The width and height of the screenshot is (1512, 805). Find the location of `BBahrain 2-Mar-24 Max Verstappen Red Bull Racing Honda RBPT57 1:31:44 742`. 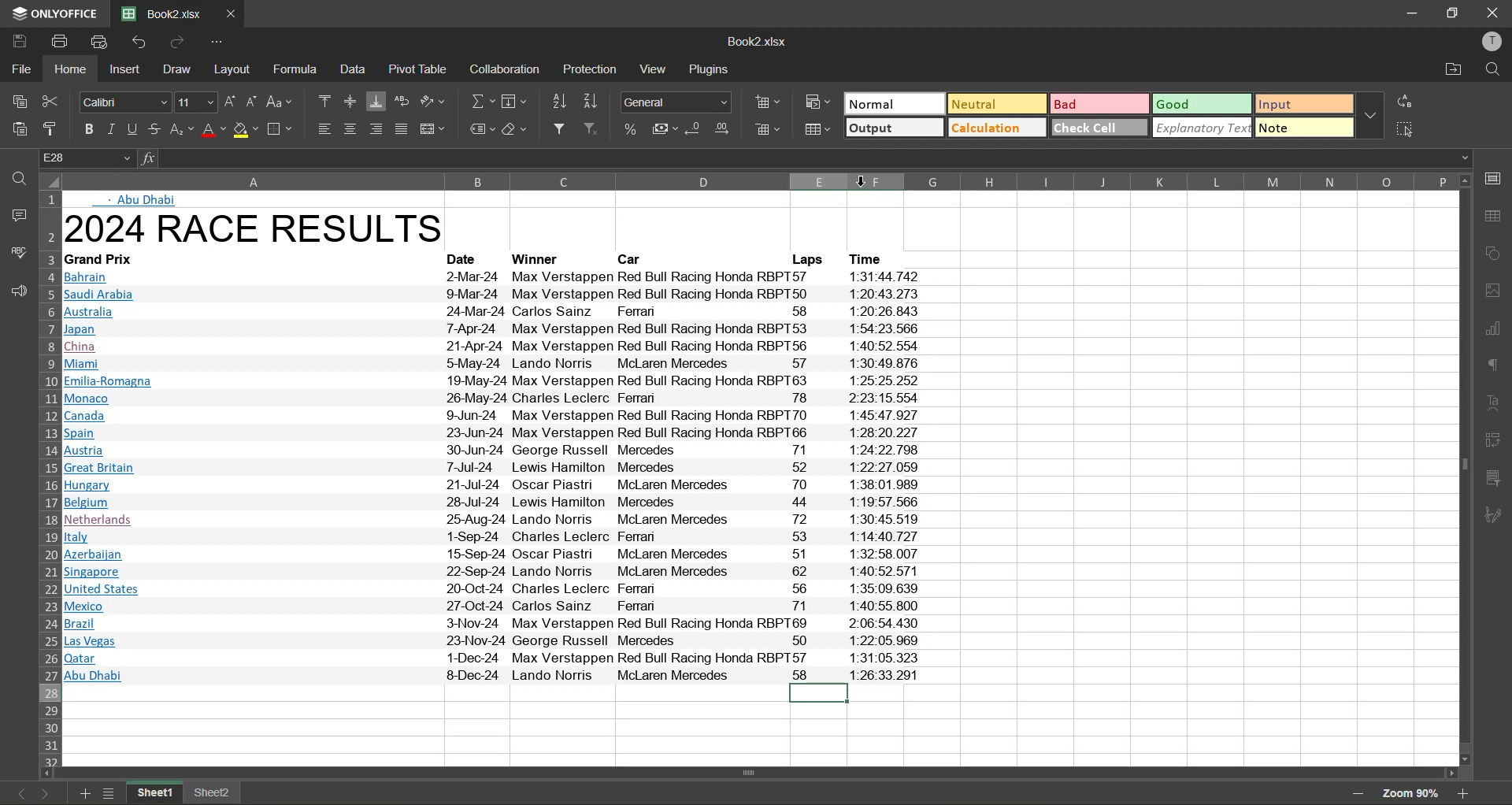

BBahrain 2-Mar-24 Max Verstappen Red Bull Racing Honda RBPT57 1:31:44 742 is located at coordinates (496, 276).